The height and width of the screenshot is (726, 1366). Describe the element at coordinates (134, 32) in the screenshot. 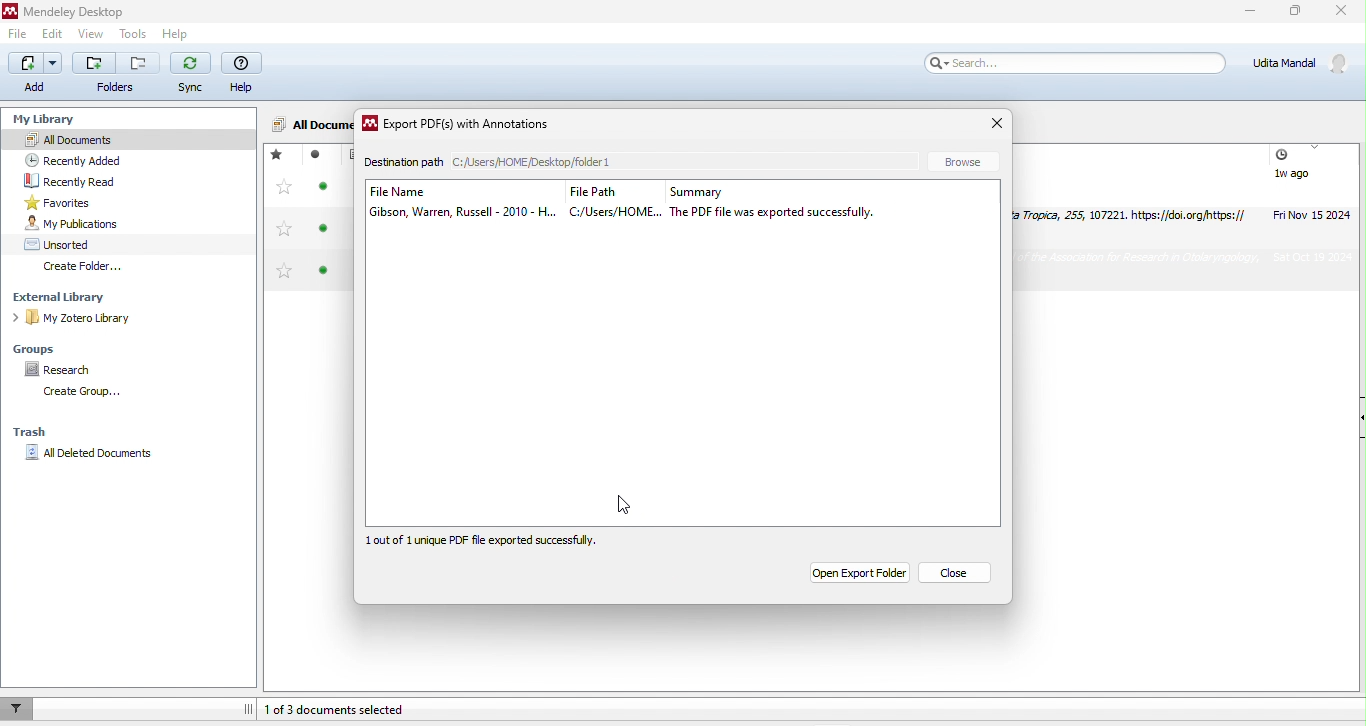

I see `tools` at that location.